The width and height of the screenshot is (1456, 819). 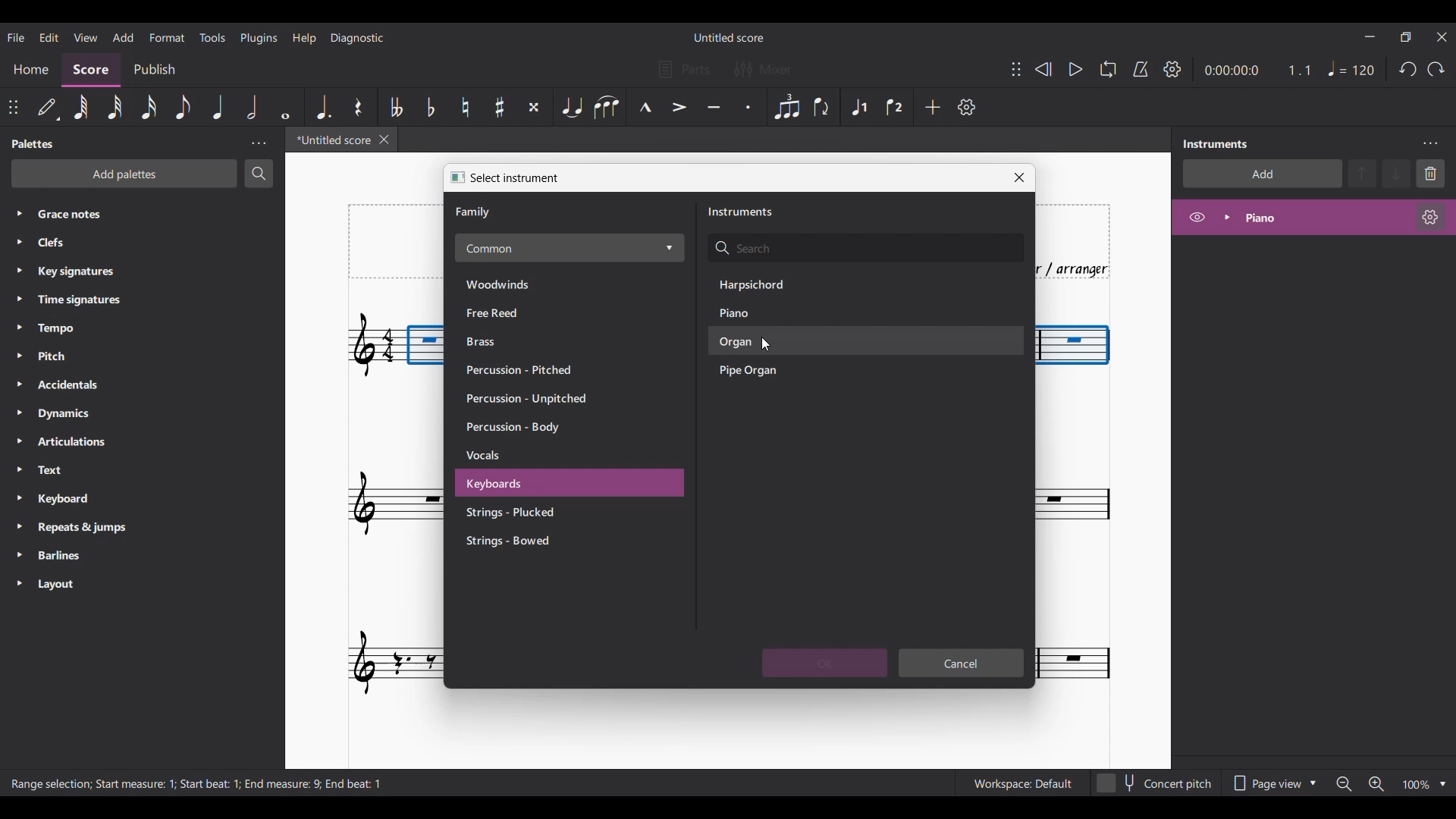 What do you see at coordinates (431, 107) in the screenshot?
I see `Toggle flat` at bounding box center [431, 107].